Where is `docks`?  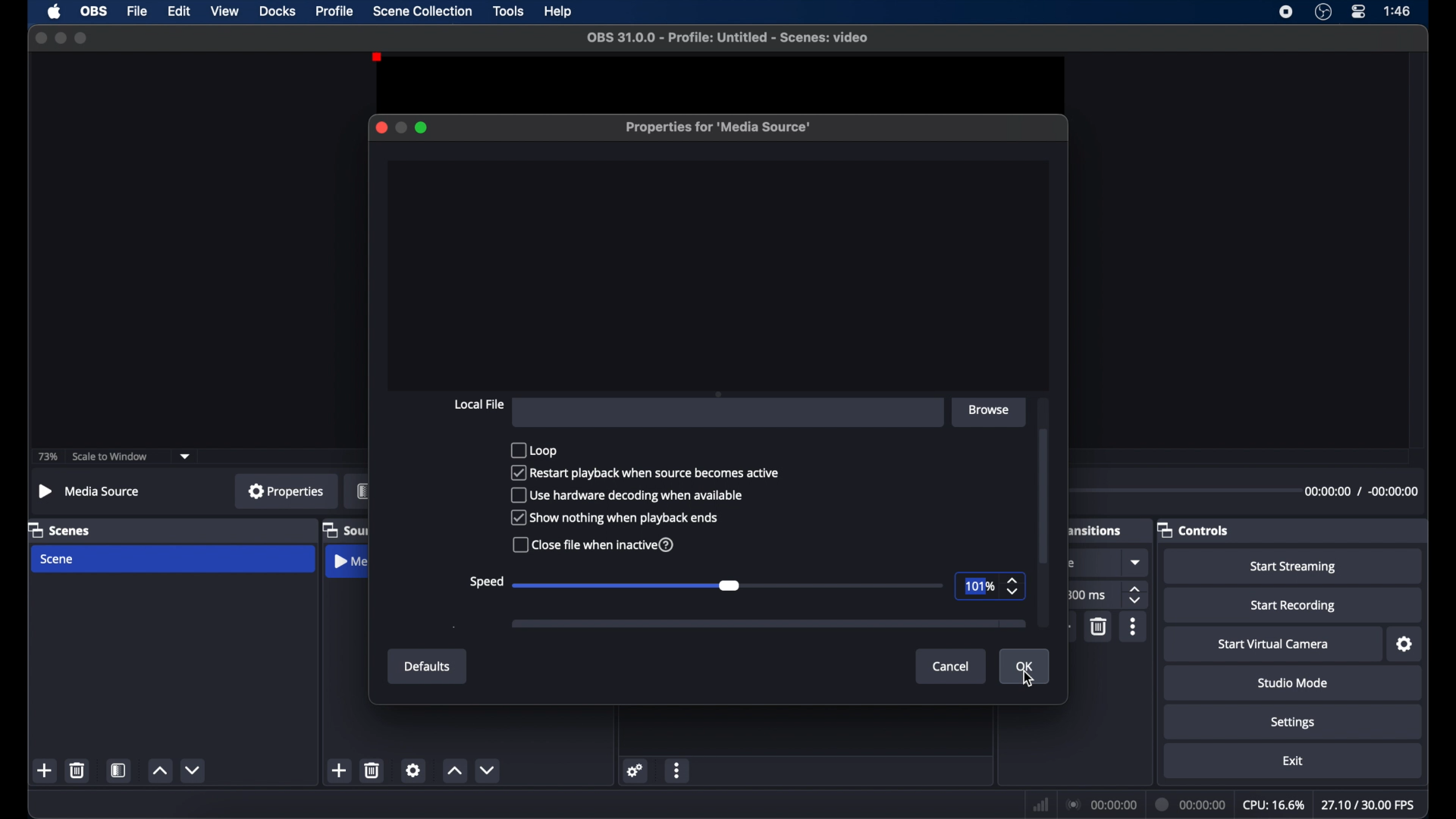 docks is located at coordinates (279, 11).